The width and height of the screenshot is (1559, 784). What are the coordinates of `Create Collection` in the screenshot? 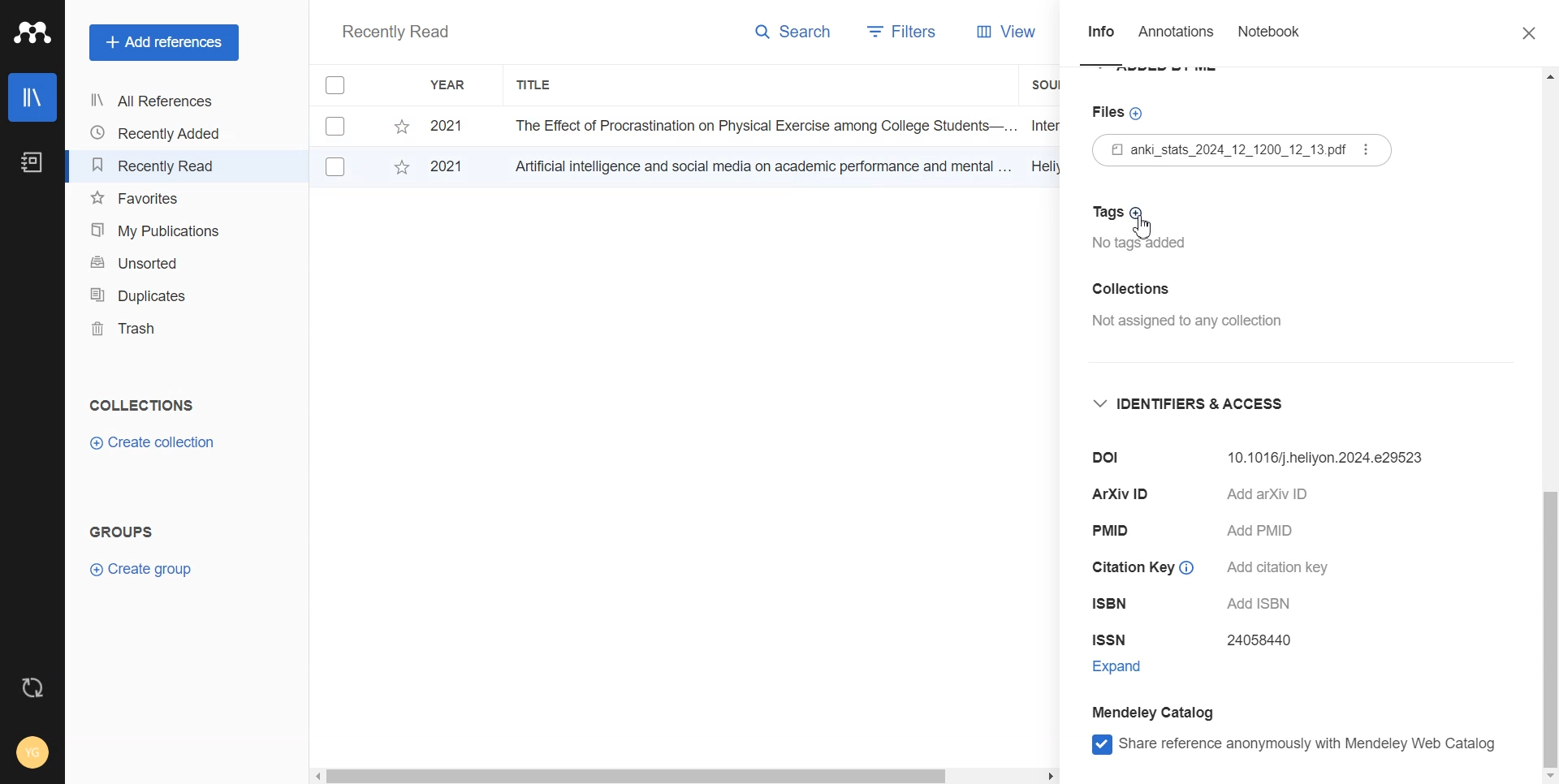 It's located at (154, 443).